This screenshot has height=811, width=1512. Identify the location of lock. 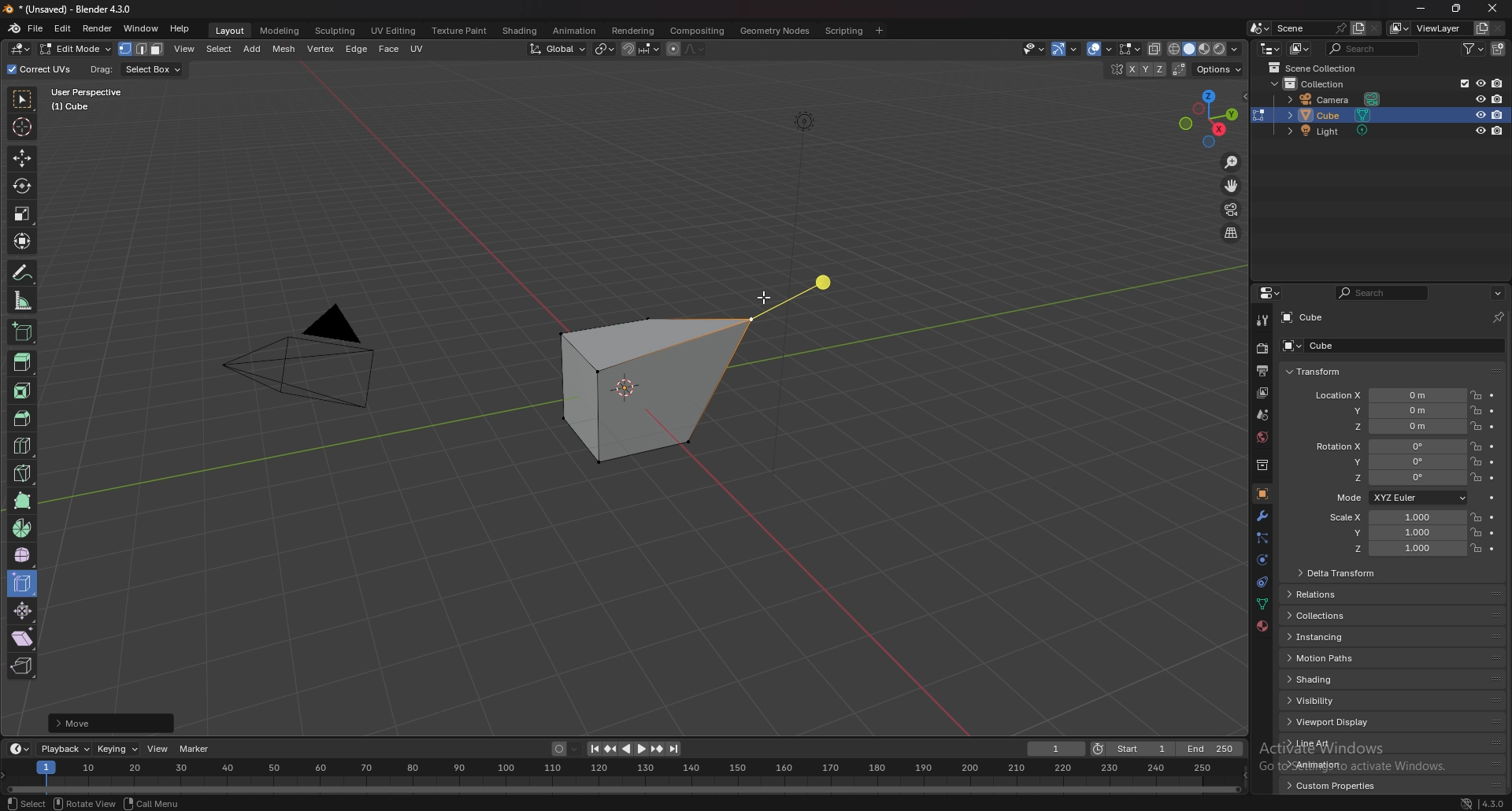
(1477, 548).